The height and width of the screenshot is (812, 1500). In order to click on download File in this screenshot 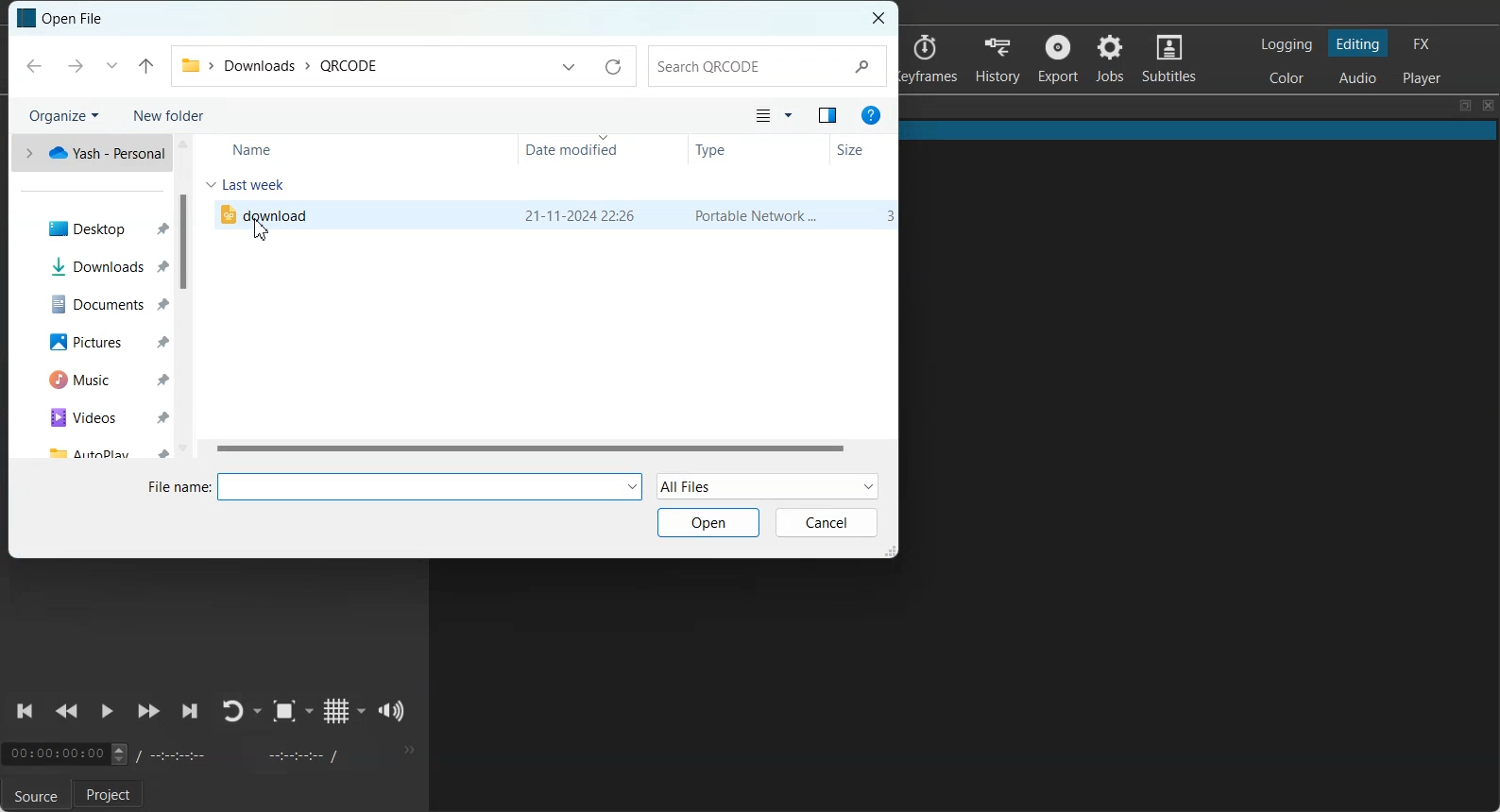, I will do `click(264, 213)`.